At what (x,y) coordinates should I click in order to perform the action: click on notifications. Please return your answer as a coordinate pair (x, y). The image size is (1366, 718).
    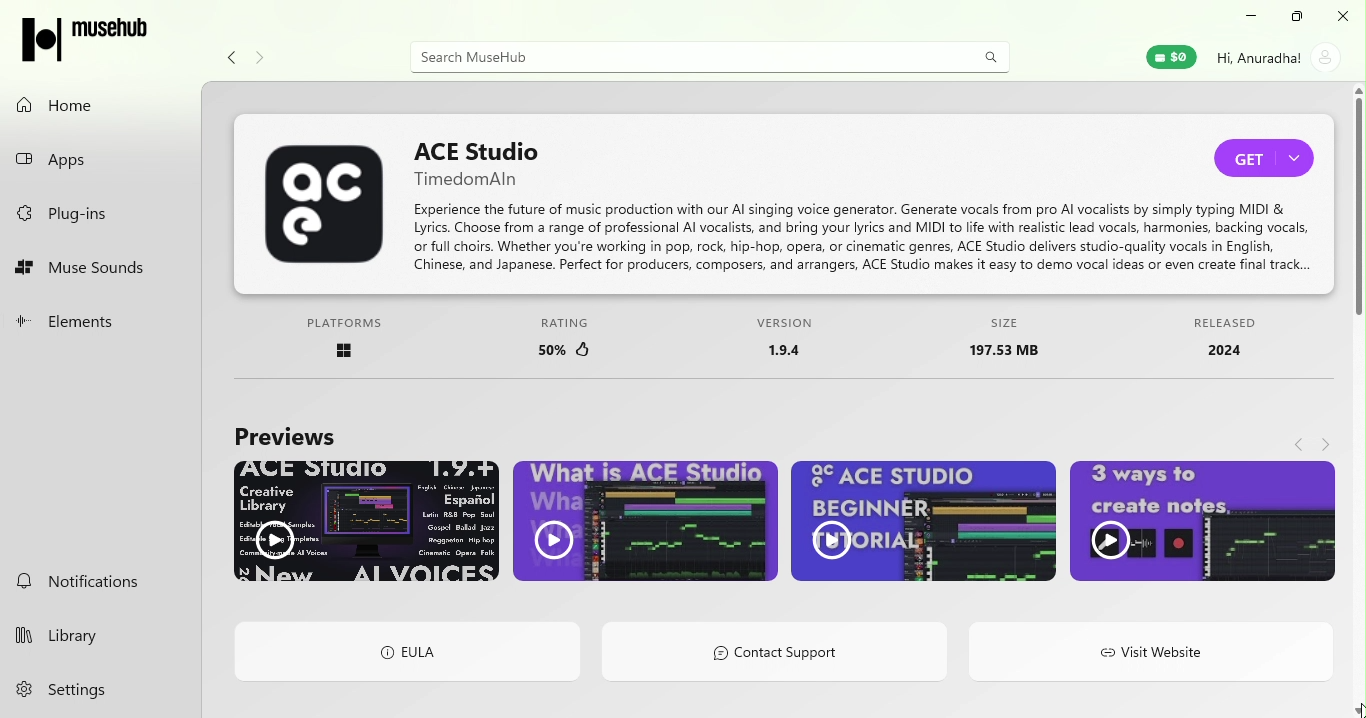
    Looking at the image, I should click on (98, 582).